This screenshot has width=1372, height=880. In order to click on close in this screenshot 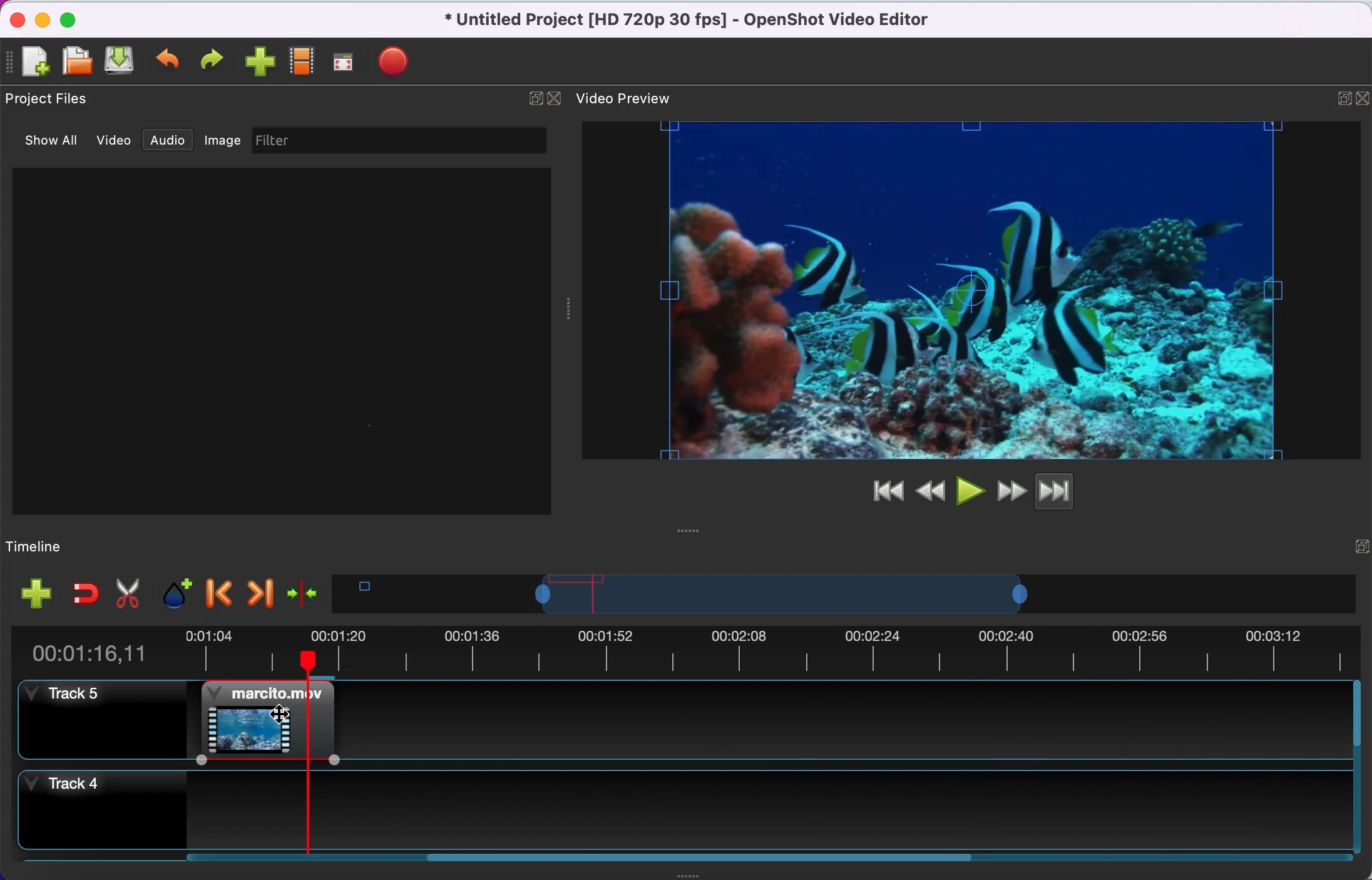, I will do `click(14, 18)`.